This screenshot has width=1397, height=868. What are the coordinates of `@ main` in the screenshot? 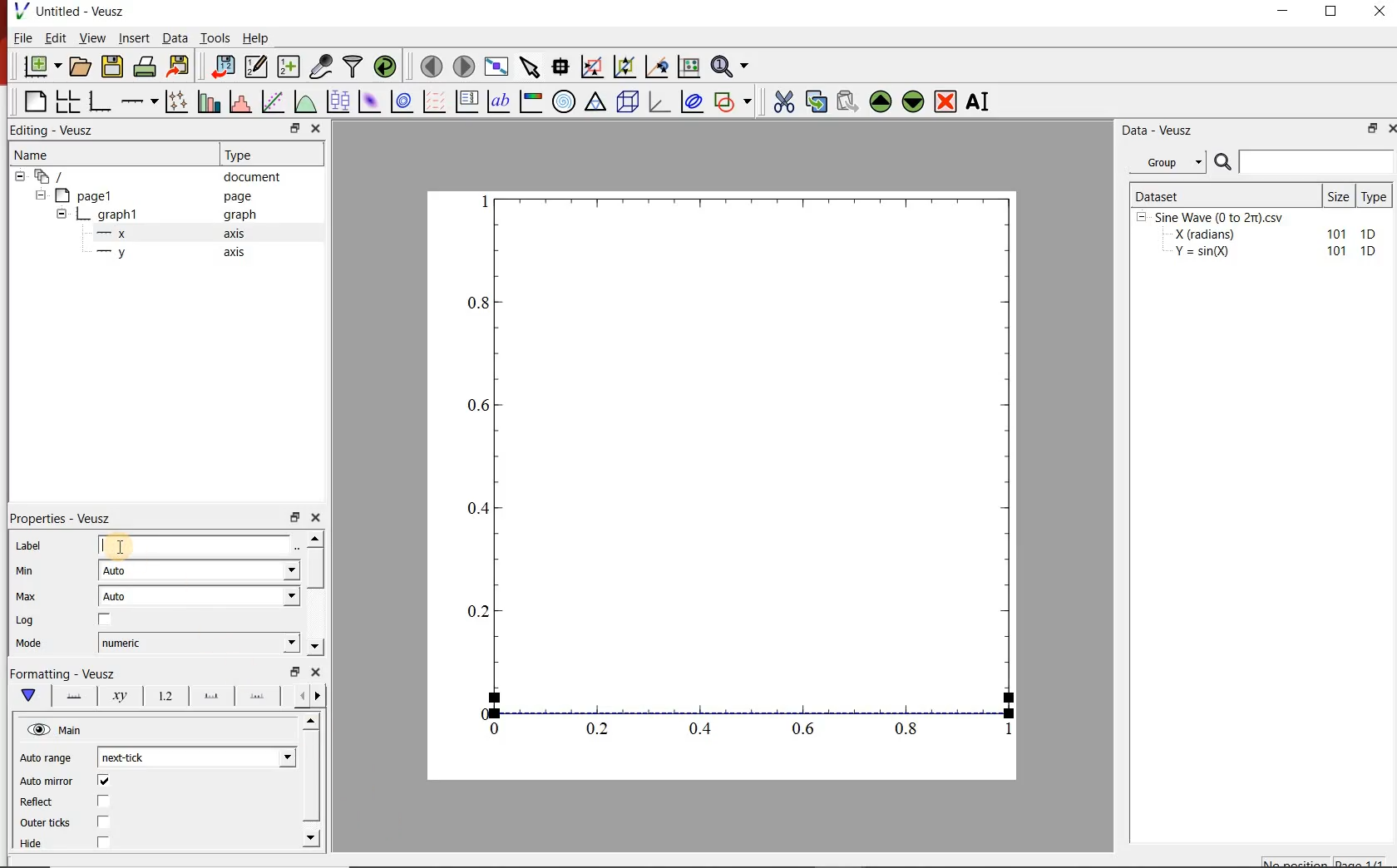 It's located at (54, 731).